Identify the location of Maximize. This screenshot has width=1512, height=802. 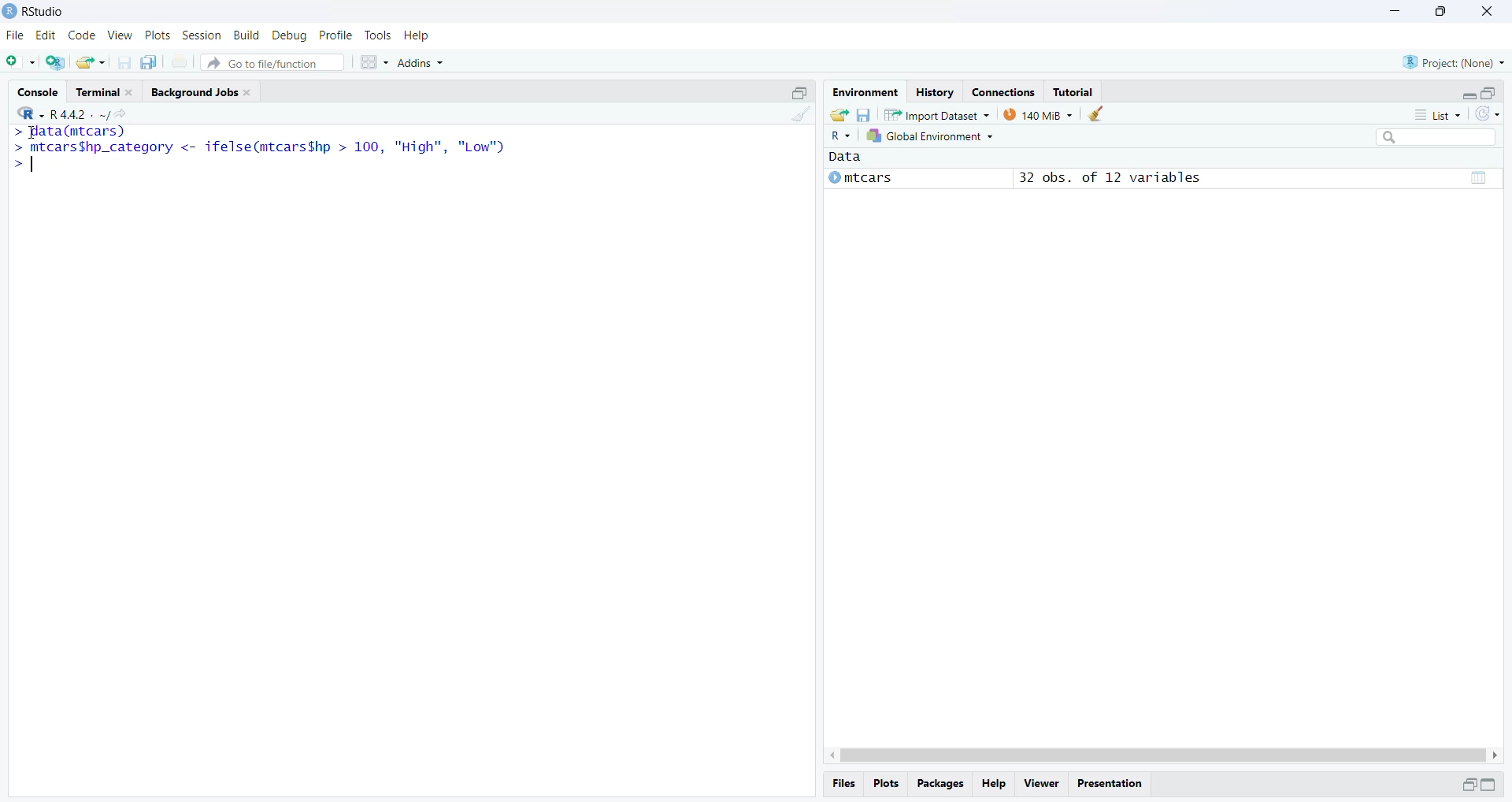
(1489, 91).